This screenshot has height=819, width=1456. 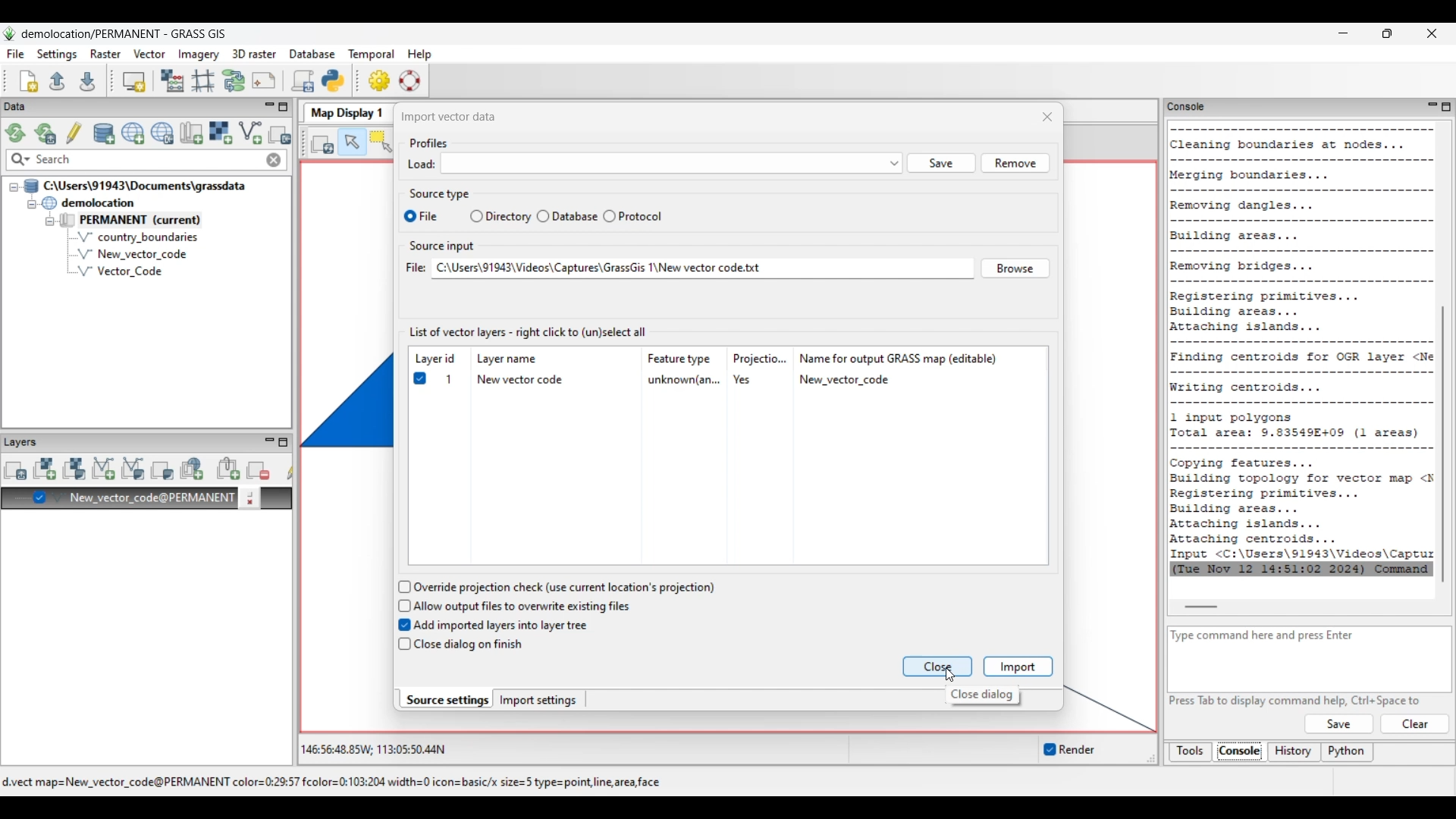 What do you see at coordinates (435, 359) in the screenshot?
I see `Layer id` at bounding box center [435, 359].